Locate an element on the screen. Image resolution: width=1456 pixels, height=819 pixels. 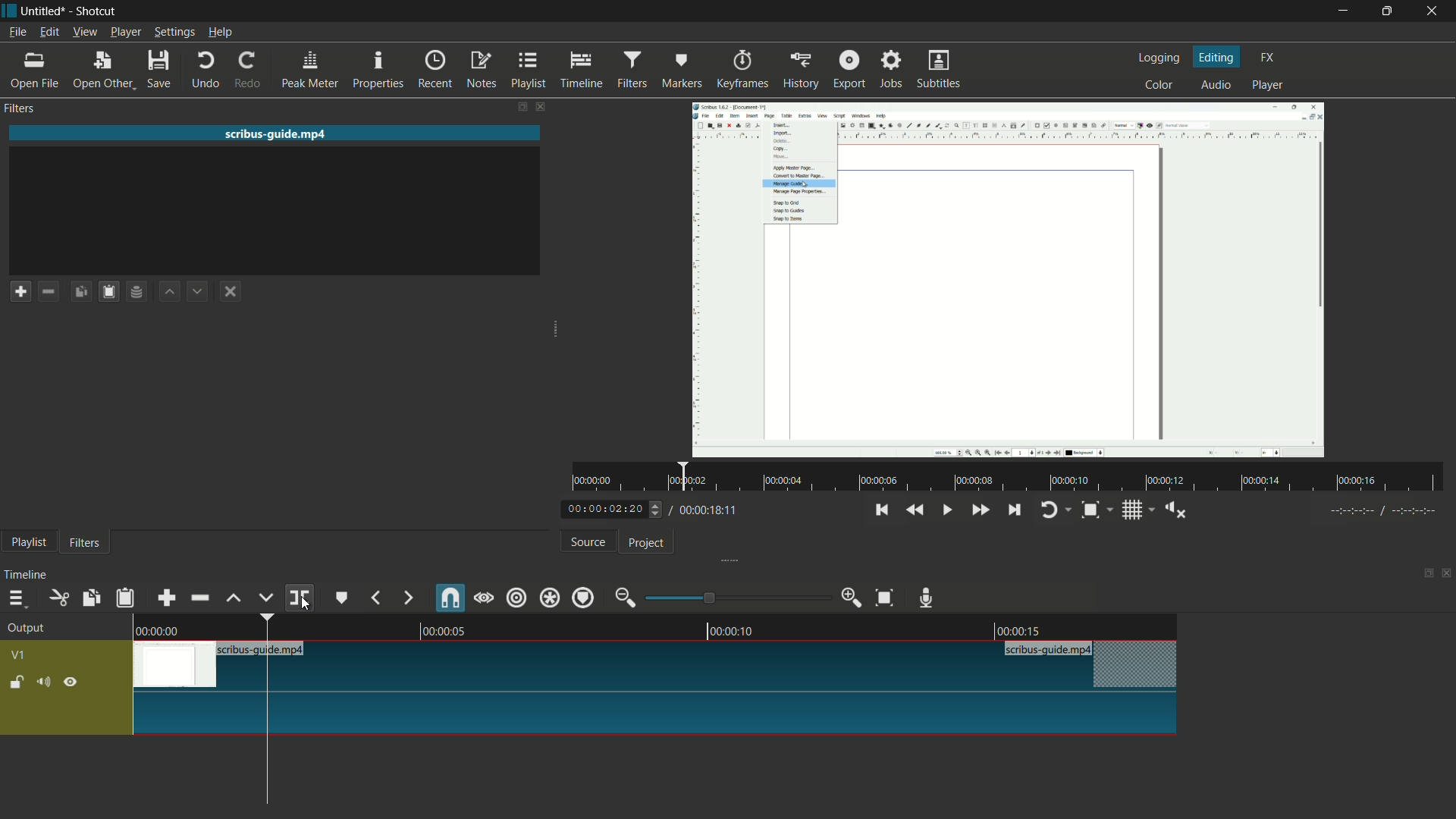
ripple is located at coordinates (515, 597).